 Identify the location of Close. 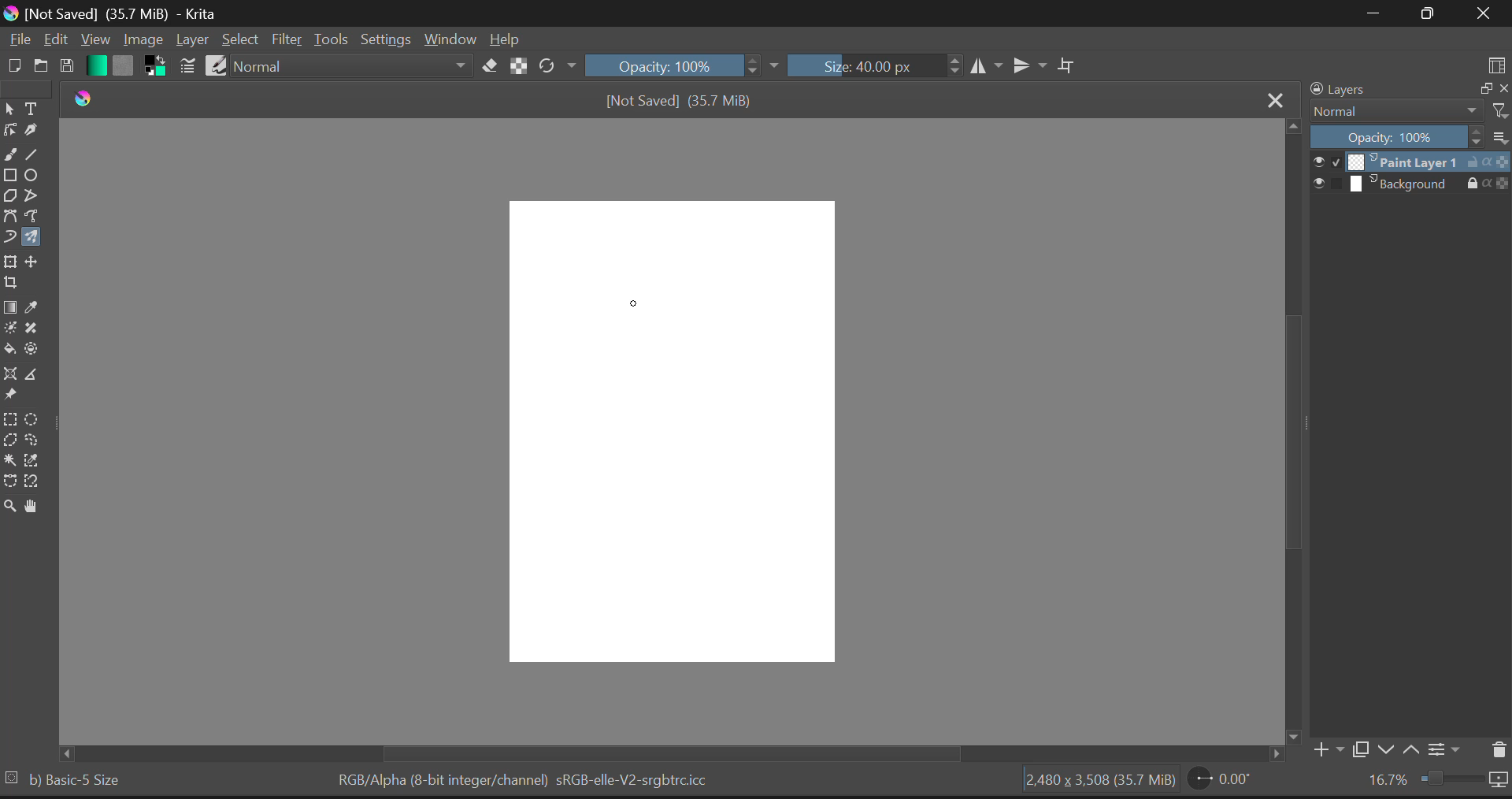
(1276, 100).